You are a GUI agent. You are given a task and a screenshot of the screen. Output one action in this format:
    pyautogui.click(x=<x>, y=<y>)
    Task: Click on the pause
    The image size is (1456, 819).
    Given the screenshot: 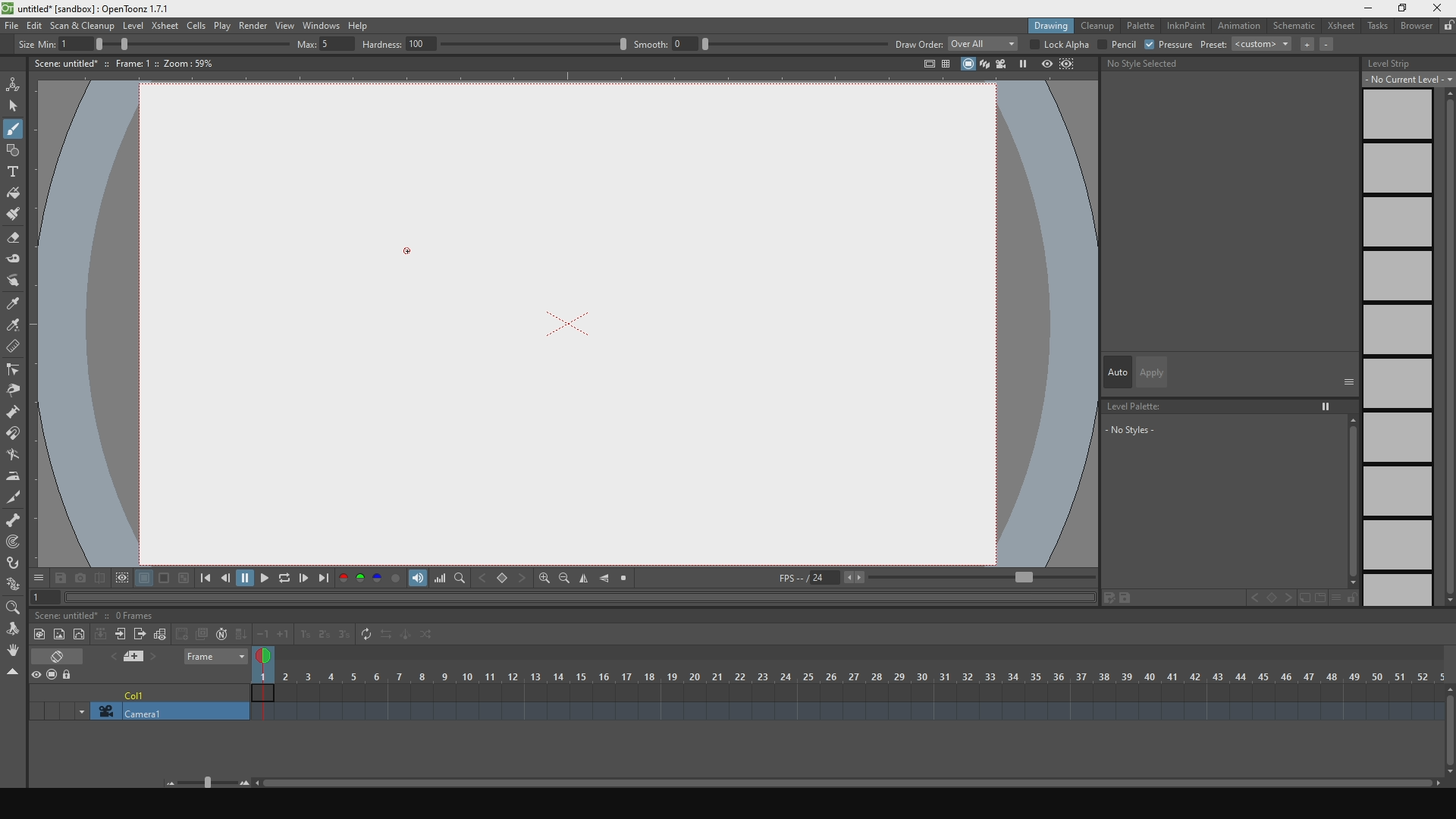 What is the action you would take?
    pyautogui.click(x=1024, y=65)
    